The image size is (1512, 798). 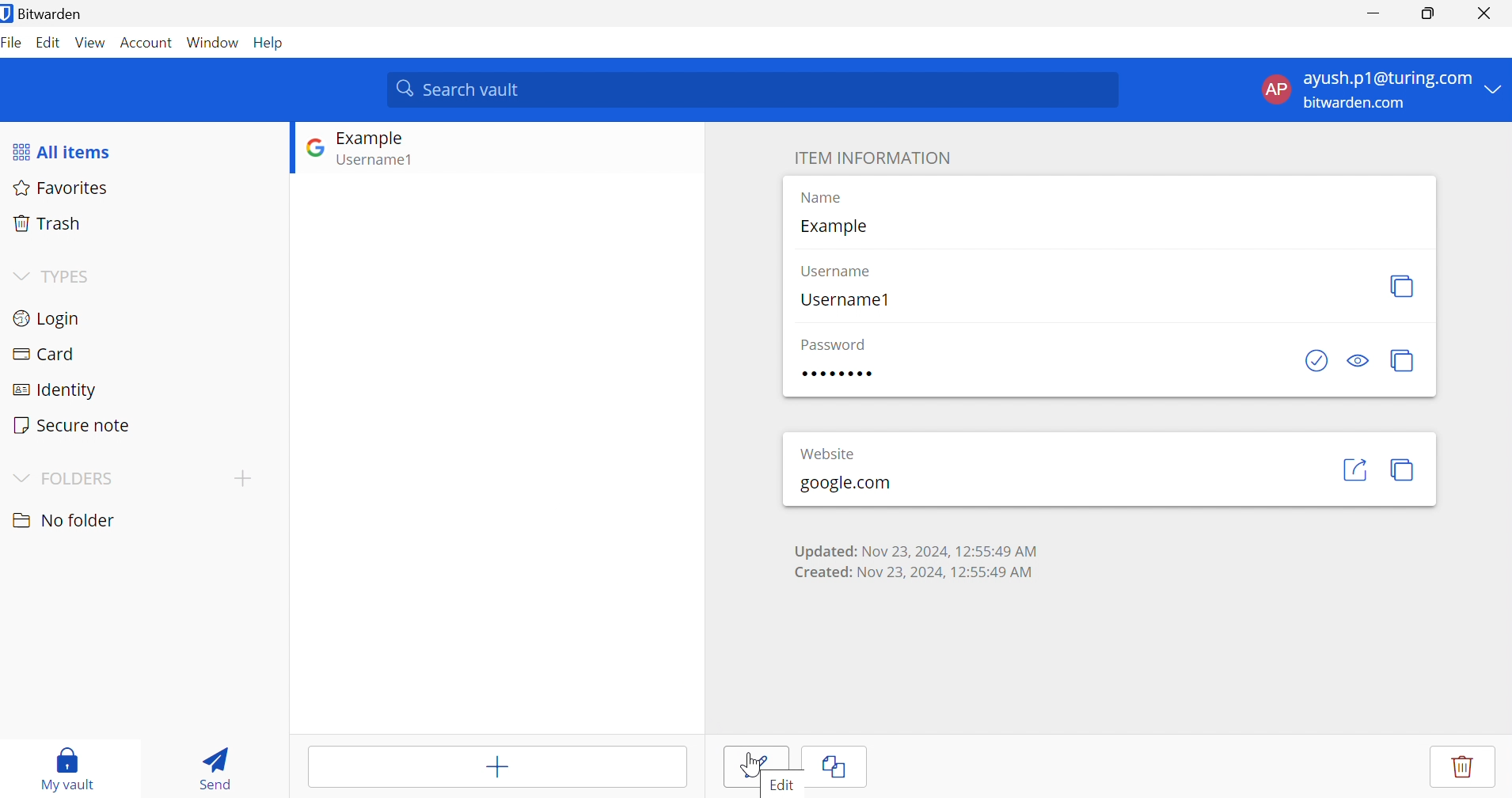 What do you see at coordinates (51, 223) in the screenshot?
I see `` at bounding box center [51, 223].